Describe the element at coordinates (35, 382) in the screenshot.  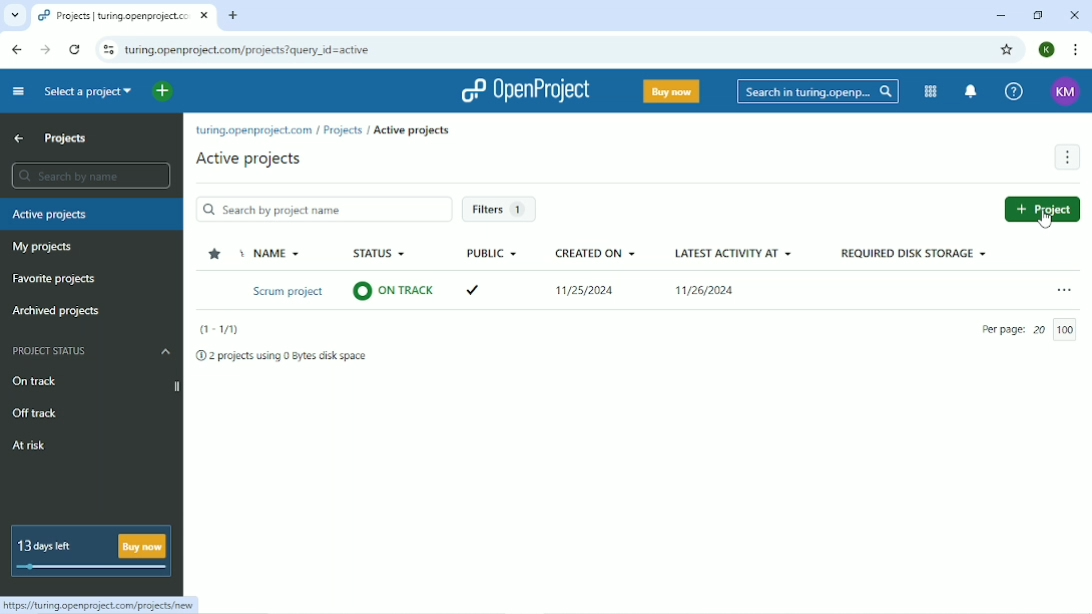
I see `On track` at that location.